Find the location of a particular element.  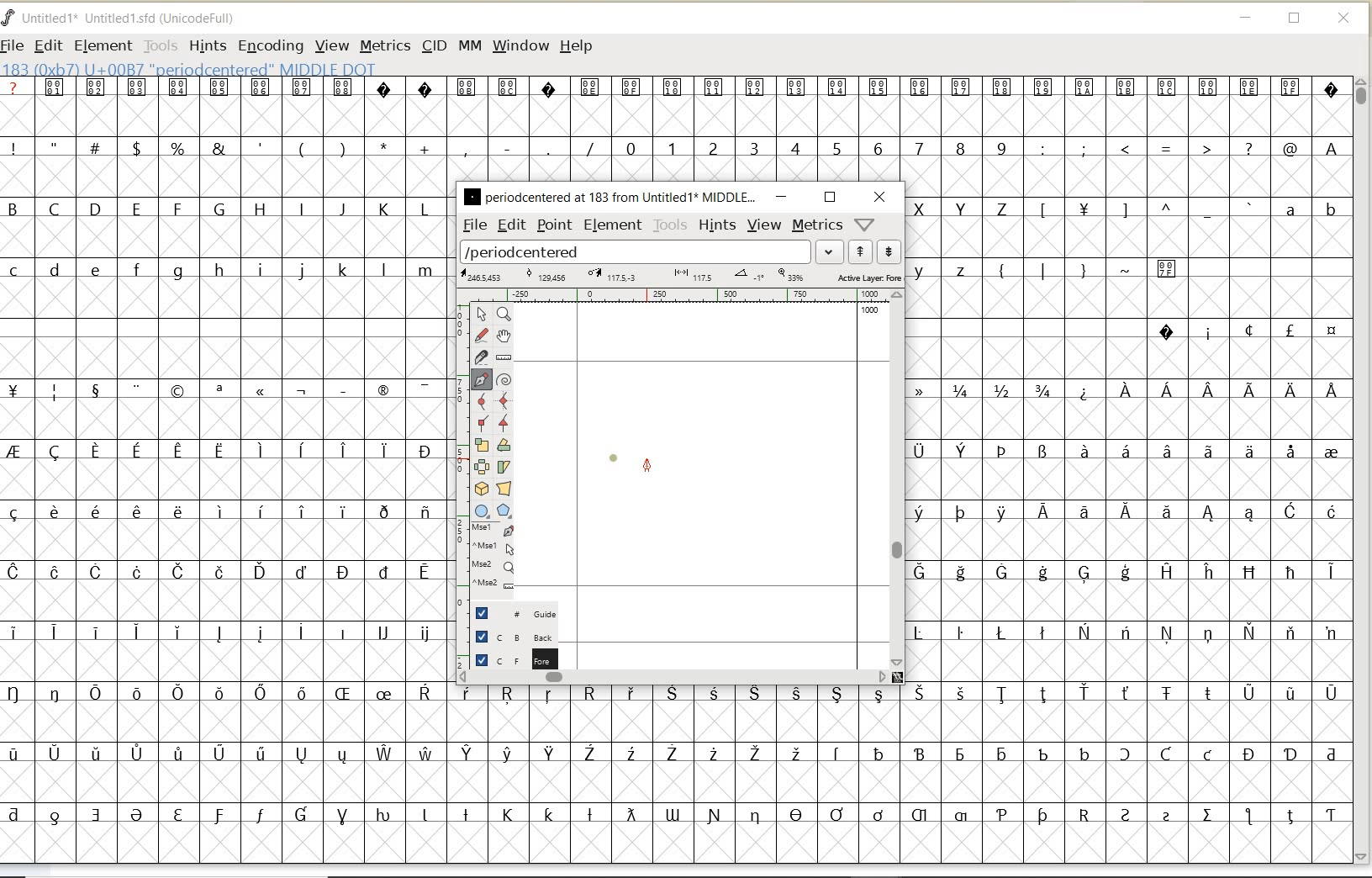

VIEW is located at coordinates (332, 46).